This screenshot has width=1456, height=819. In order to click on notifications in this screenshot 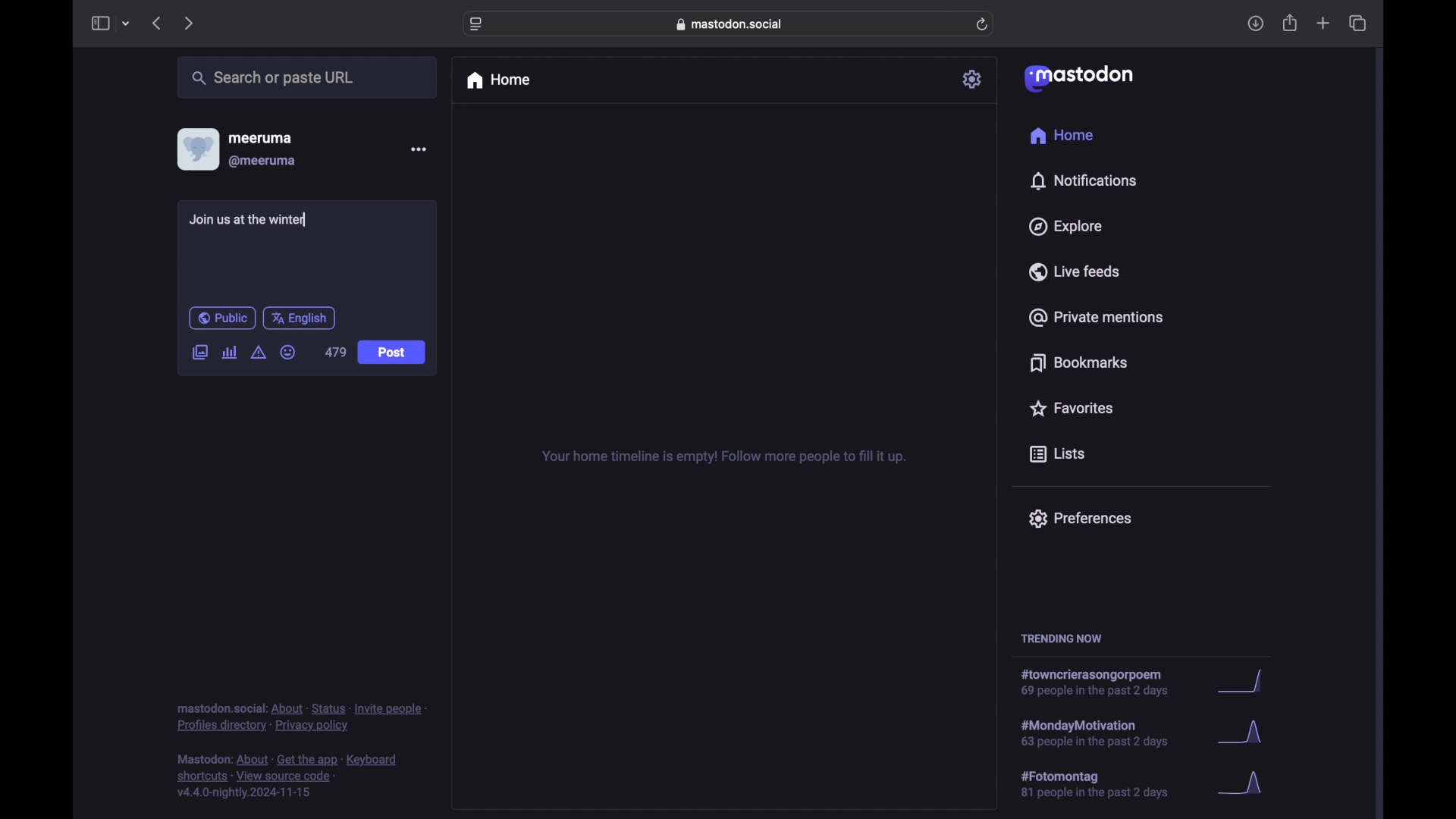, I will do `click(1083, 180)`.